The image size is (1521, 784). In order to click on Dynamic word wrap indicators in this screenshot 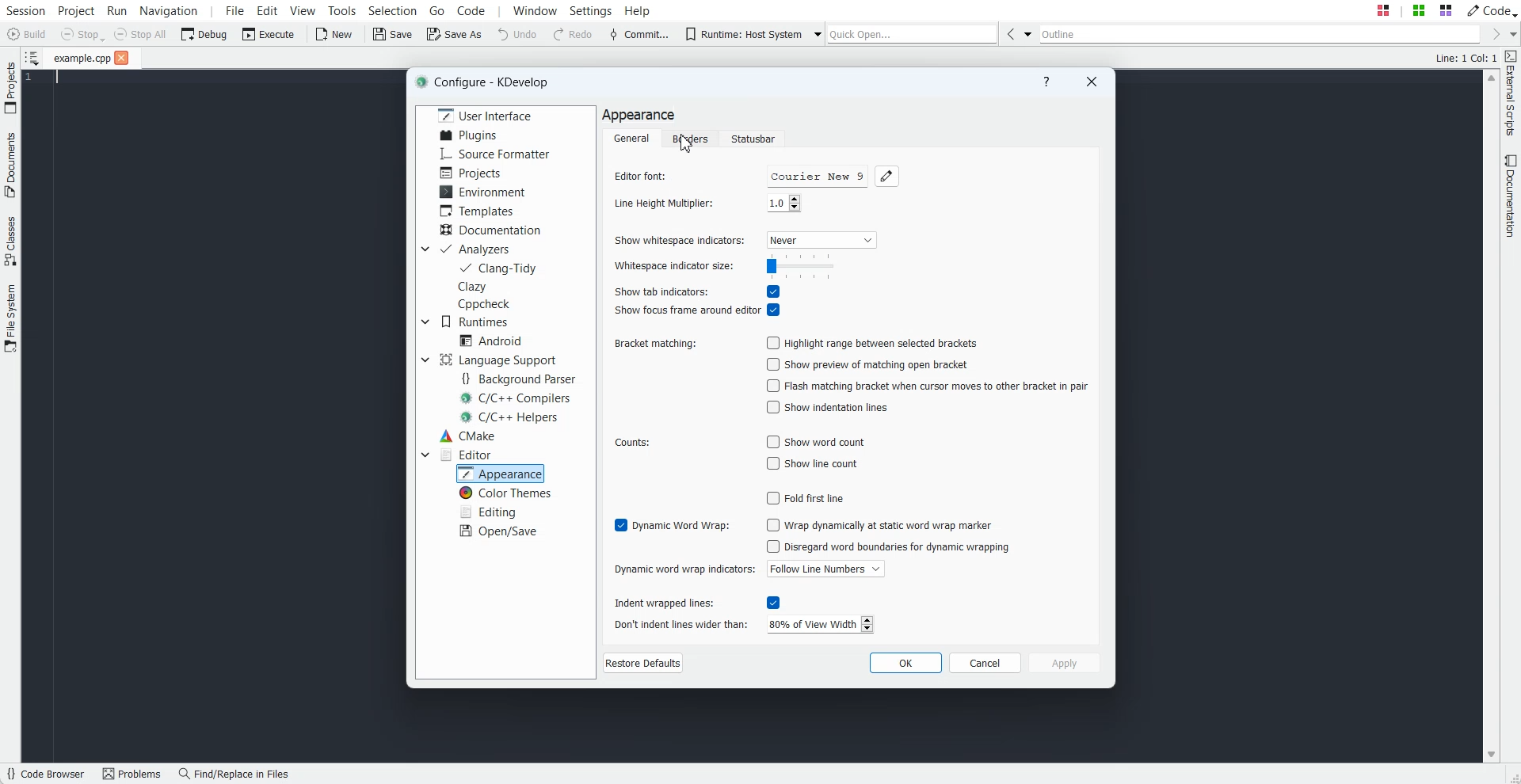, I will do `click(681, 569)`.